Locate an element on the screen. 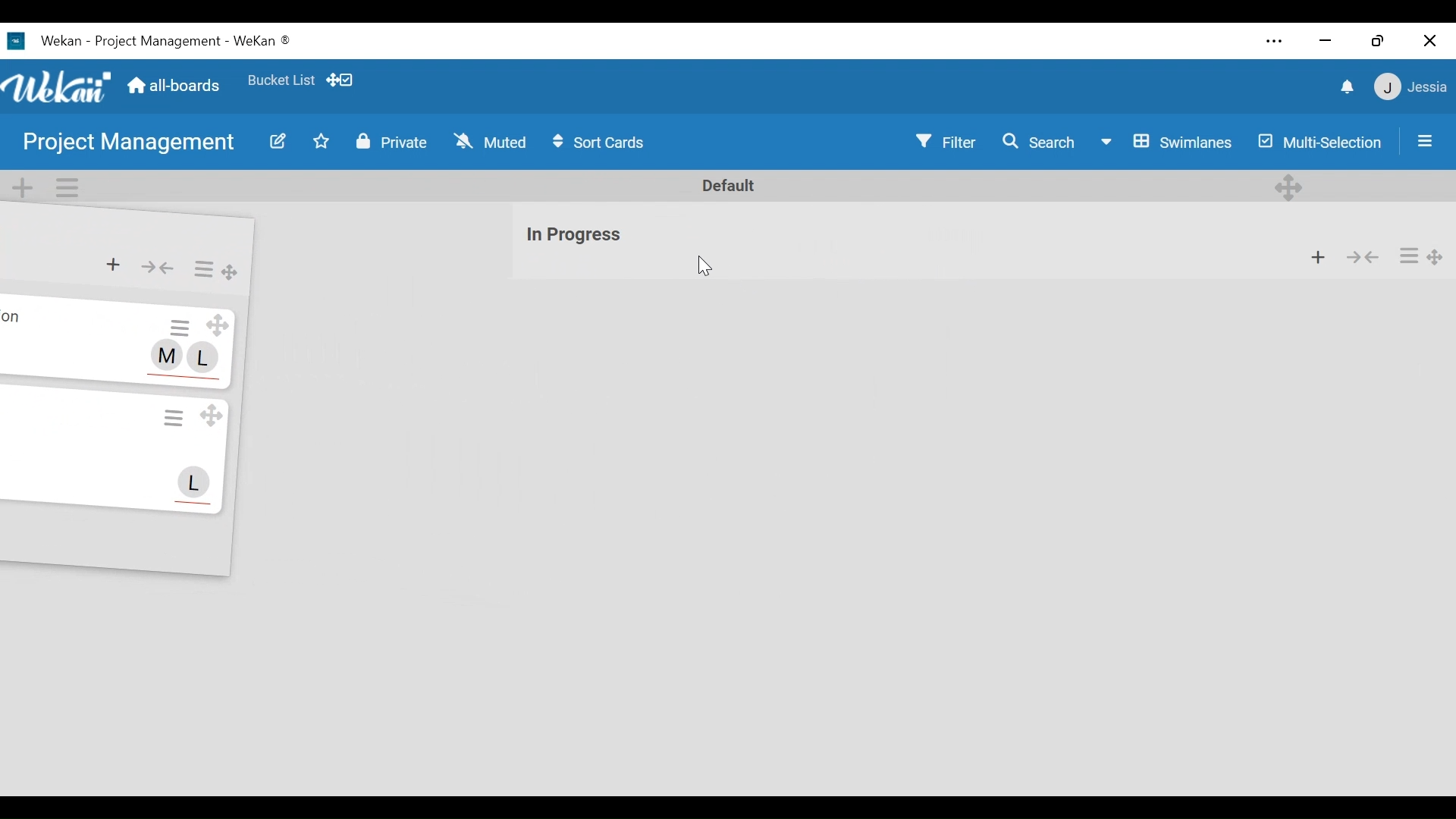 The width and height of the screenshot is (1456, 819). Drag List is located at coordinates (230, 271).